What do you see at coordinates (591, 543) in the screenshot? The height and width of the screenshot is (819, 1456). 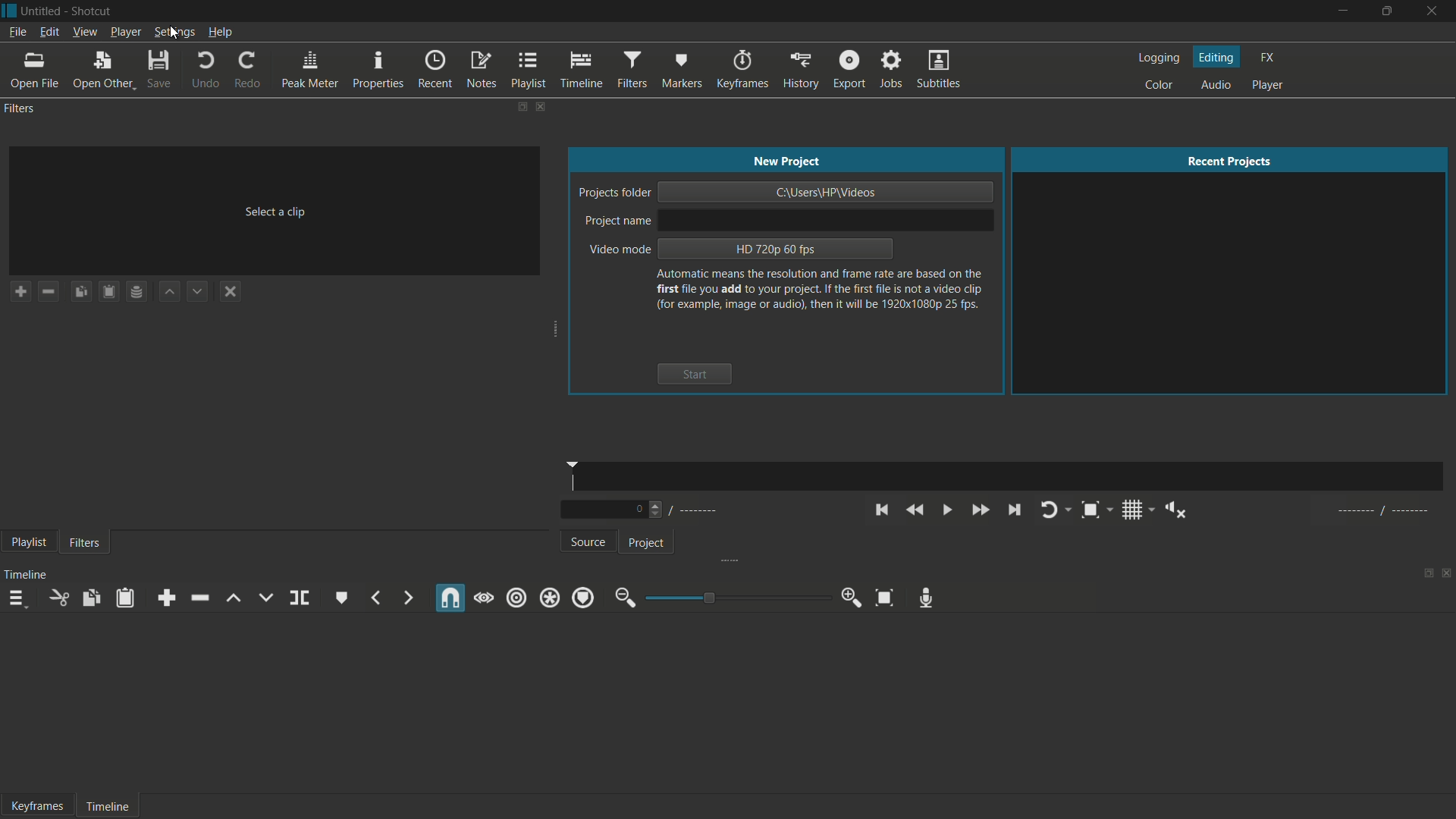 I see `source` at bounding box center [591, 543].